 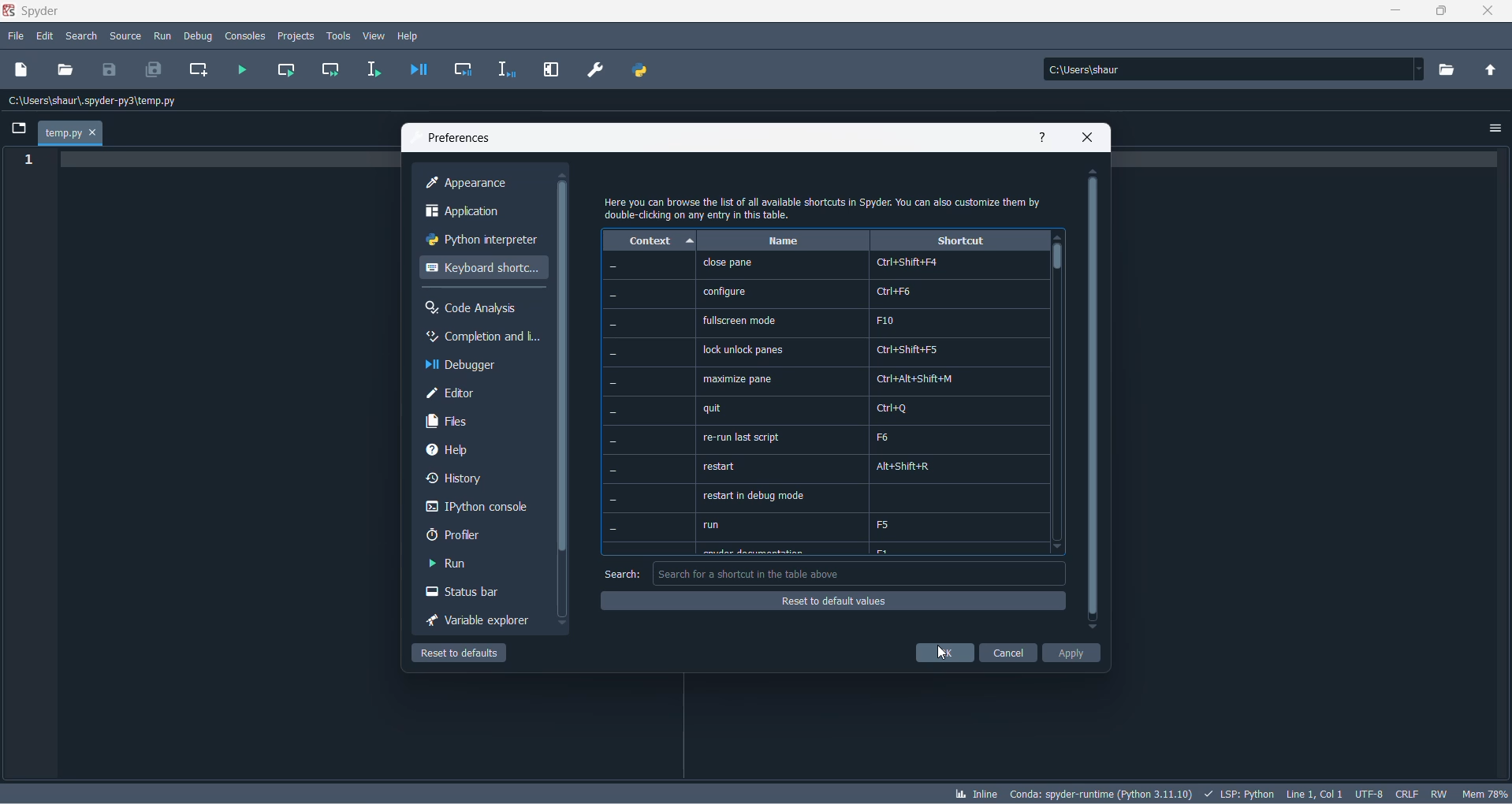 What do you see at coordinates (612, 326) in the screenshot?
I see `-` at bounding box center [612, 326].